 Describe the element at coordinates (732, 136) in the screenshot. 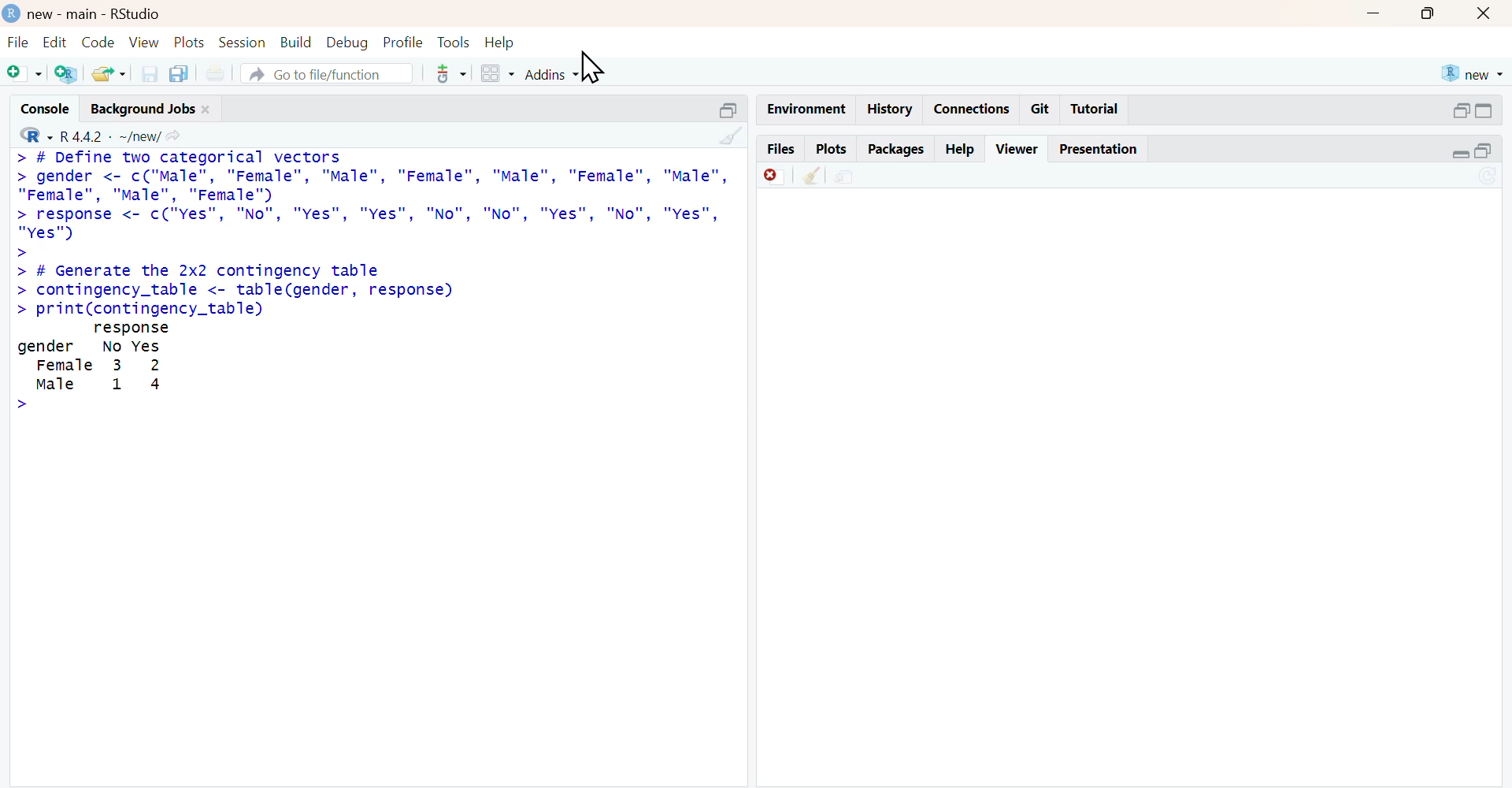

I see `clean` at that location.